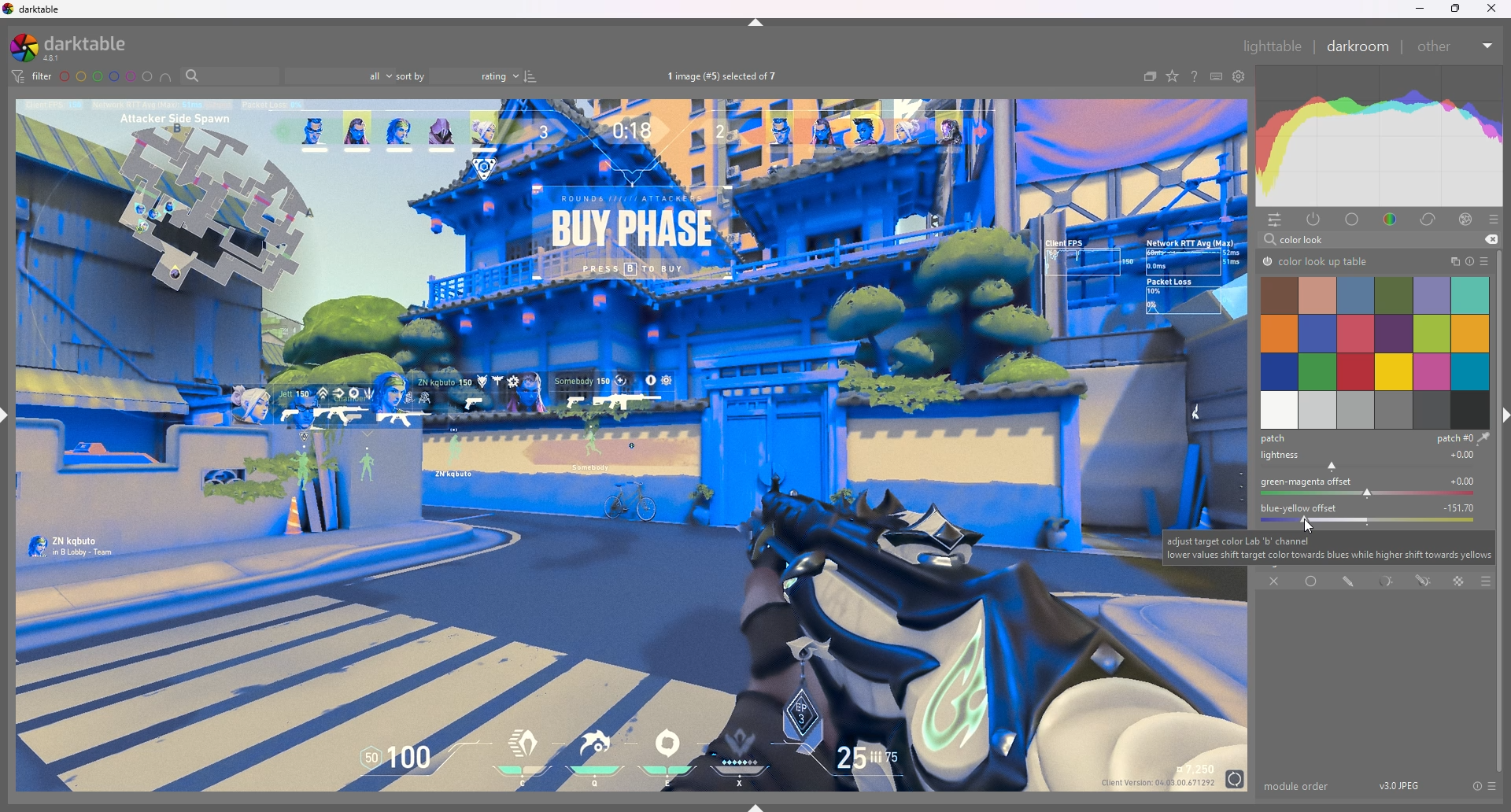 This screenshot has width=1511, height=812. What do you see at coordinates (1467, 218) in the screenshot?
I see `effect` at bounding box center [1467, 218].